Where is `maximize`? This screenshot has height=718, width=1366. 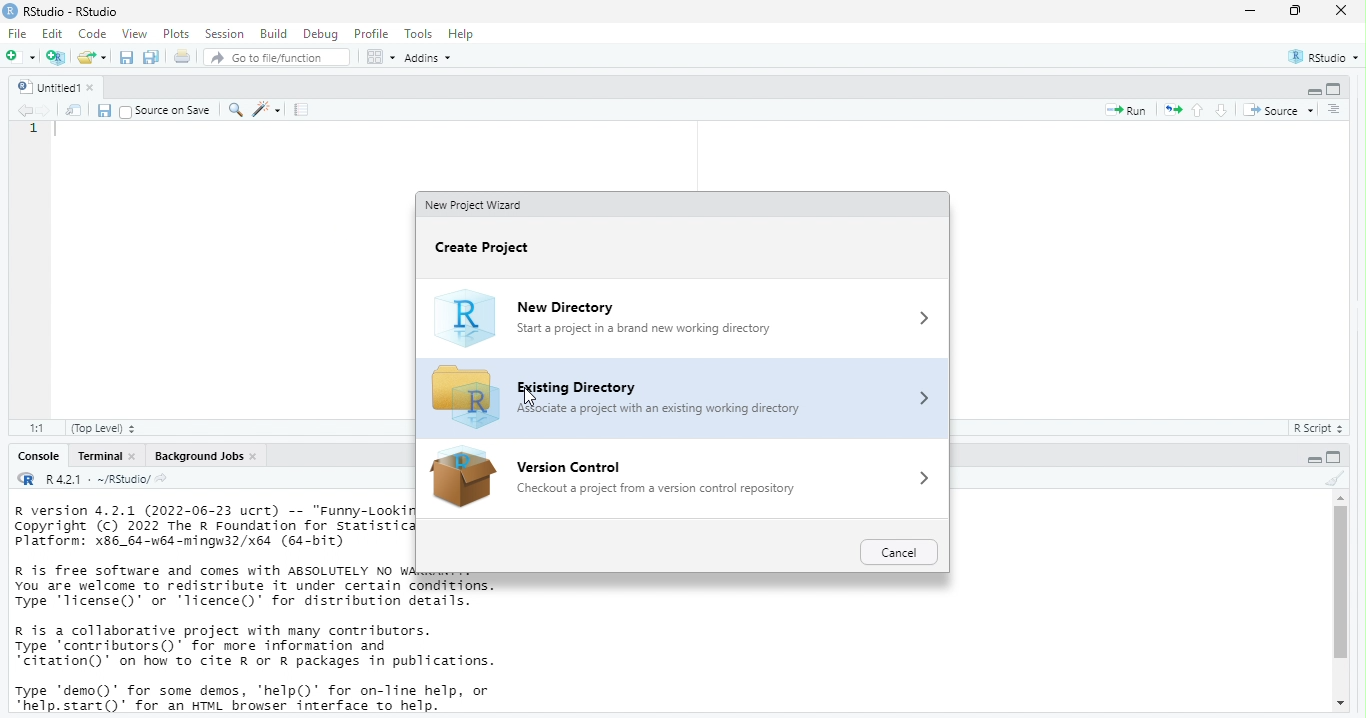
maximize is located at coordinates (1294, 12).